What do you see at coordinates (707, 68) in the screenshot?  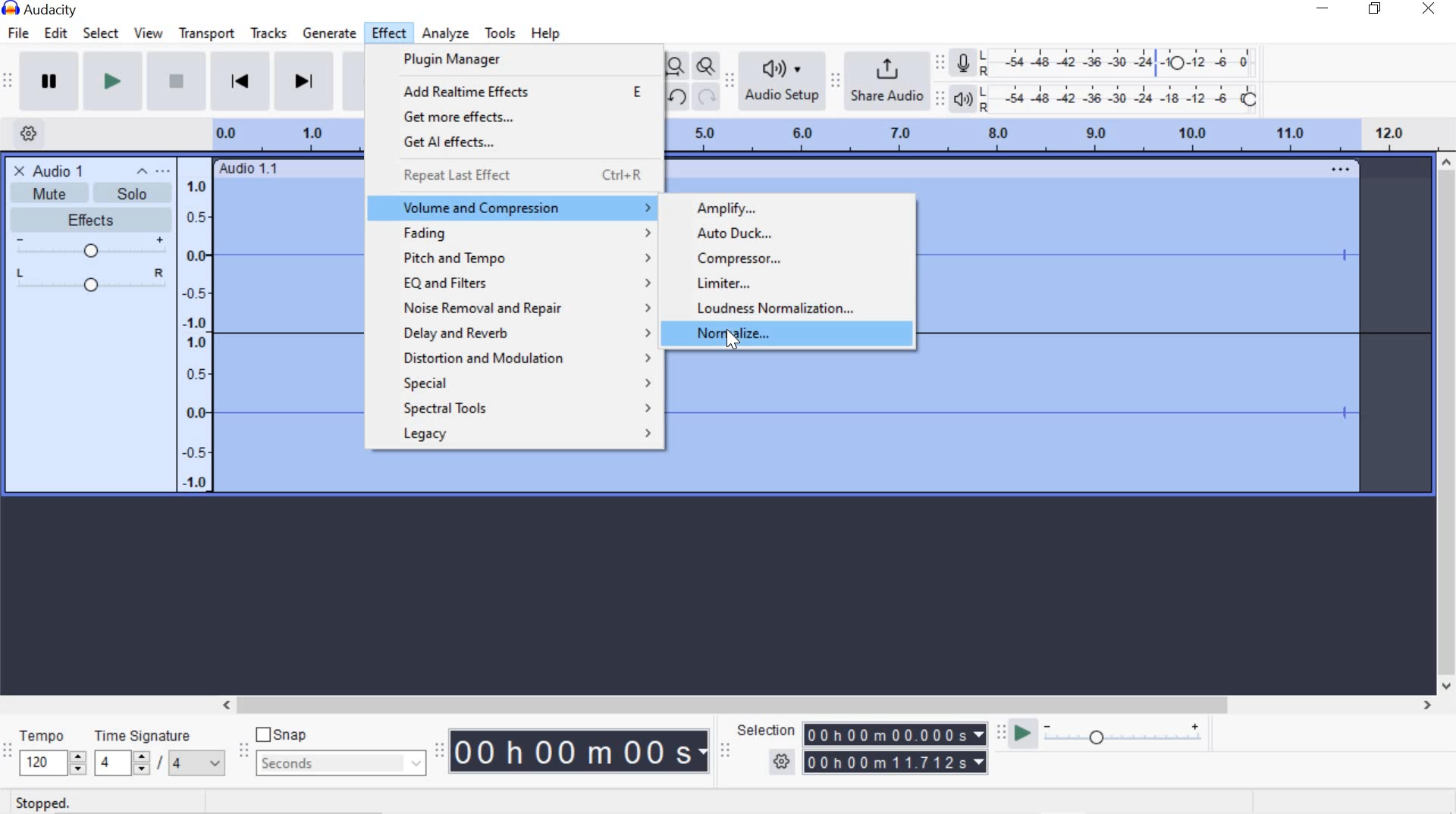 I see `Zoom Toggle` at bounding box center [707, 68].